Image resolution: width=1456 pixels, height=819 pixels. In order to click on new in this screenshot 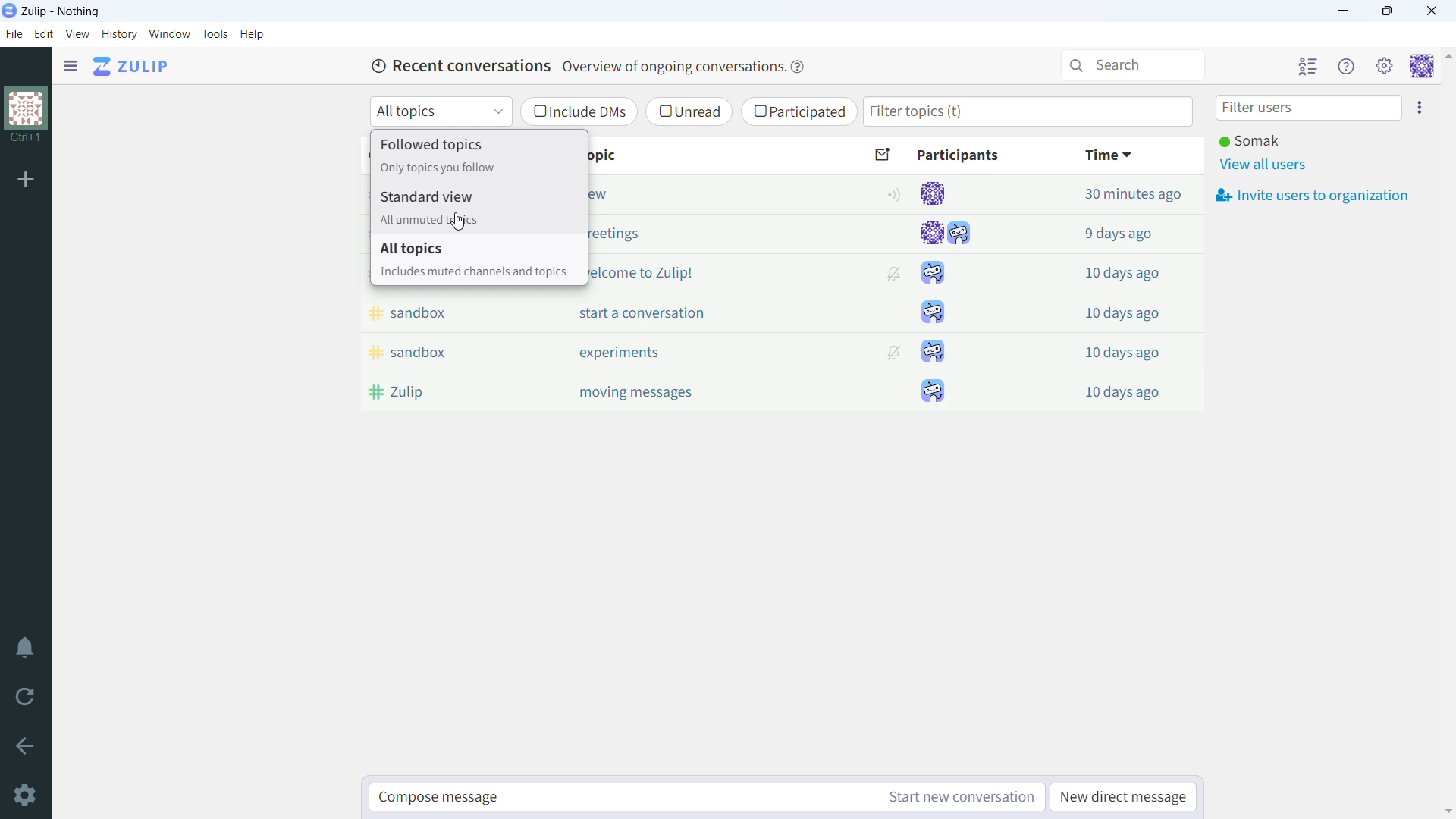, I will do `click(708, 195)`.